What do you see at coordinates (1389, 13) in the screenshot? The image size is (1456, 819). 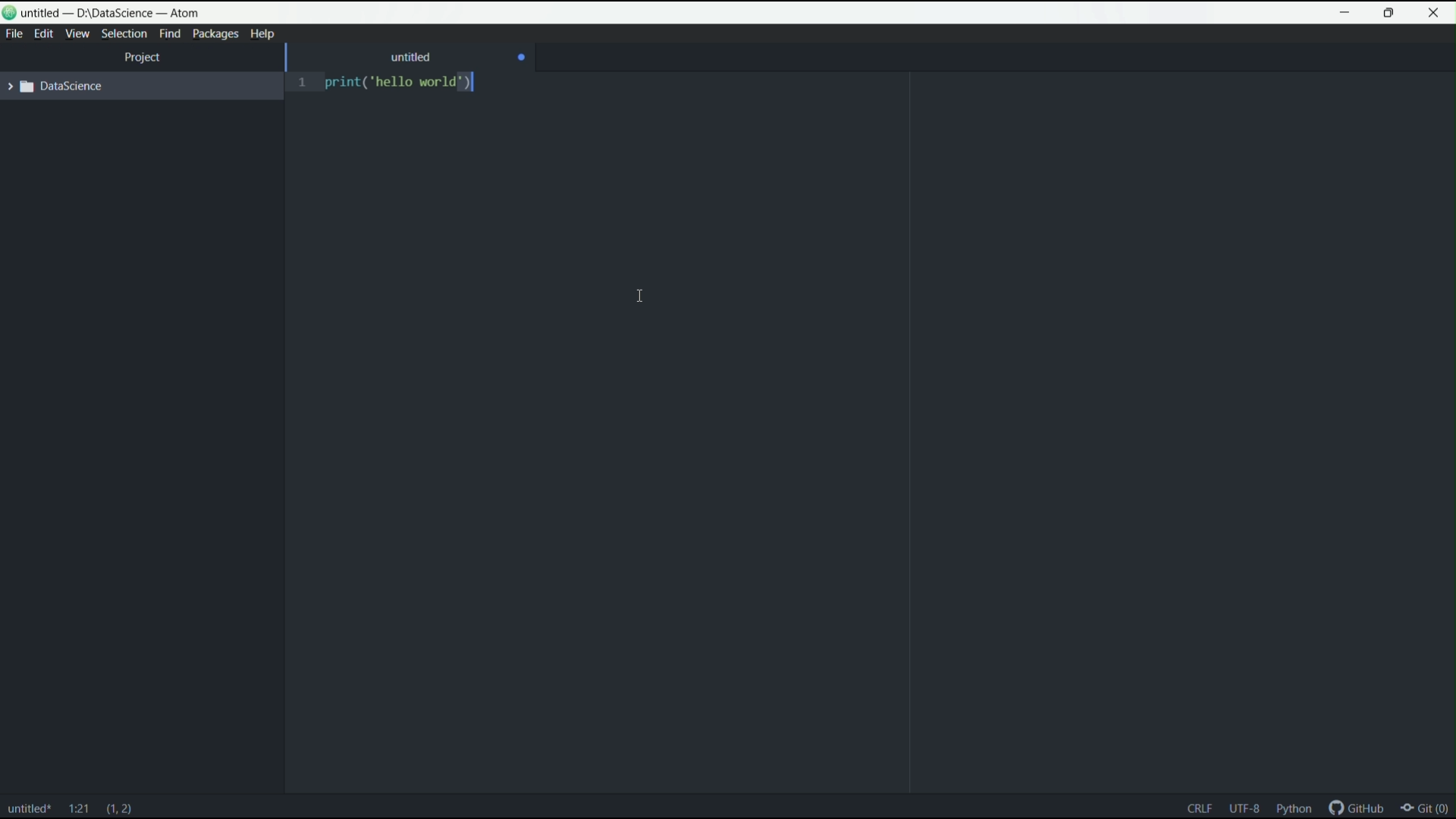 I see `maximize or restore` at bounding box center [1389, 13].